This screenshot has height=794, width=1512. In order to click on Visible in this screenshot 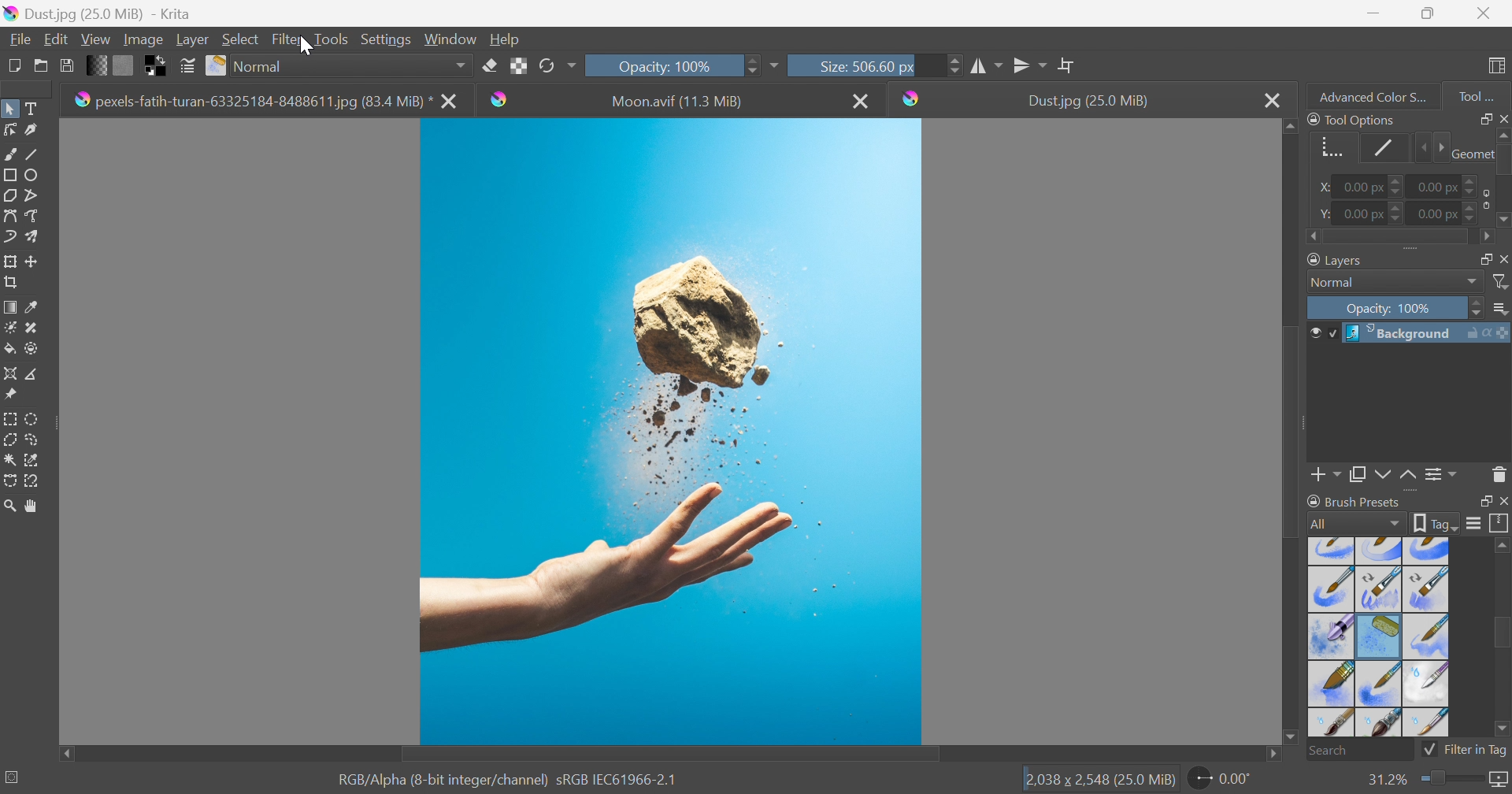, I will do `click(1321, 333)`.